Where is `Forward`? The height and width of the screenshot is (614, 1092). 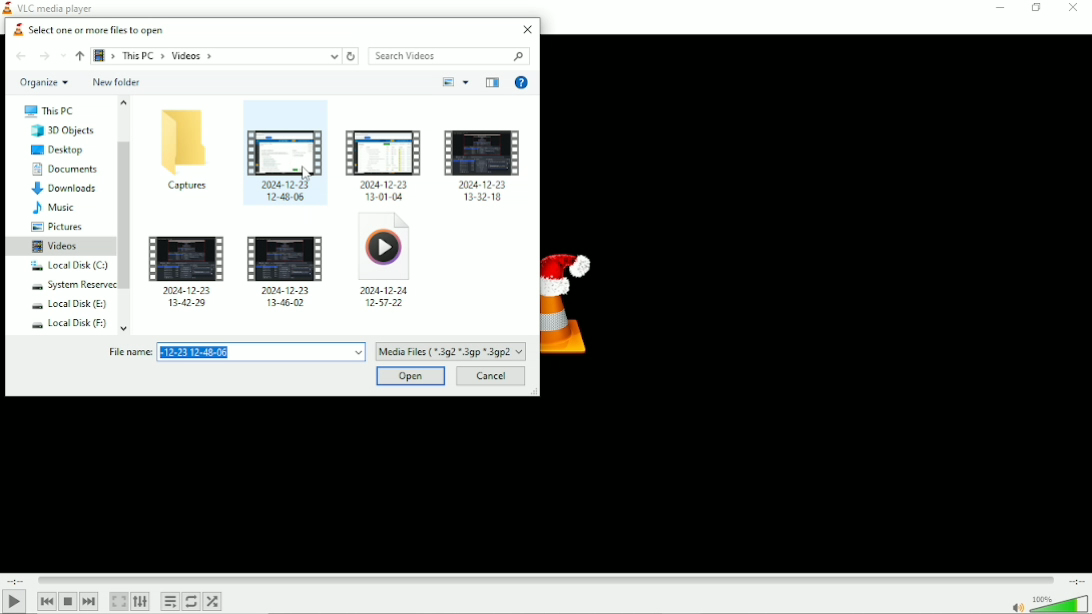
Forward is located at coordinates (43, 56).